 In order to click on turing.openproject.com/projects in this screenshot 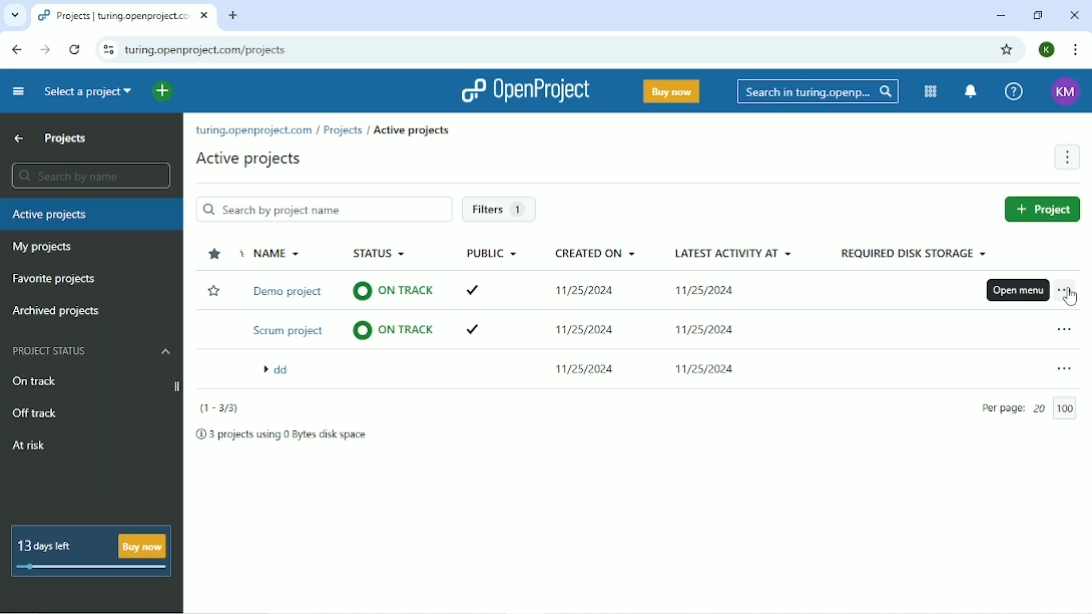, I will do `click(207, 51)`.